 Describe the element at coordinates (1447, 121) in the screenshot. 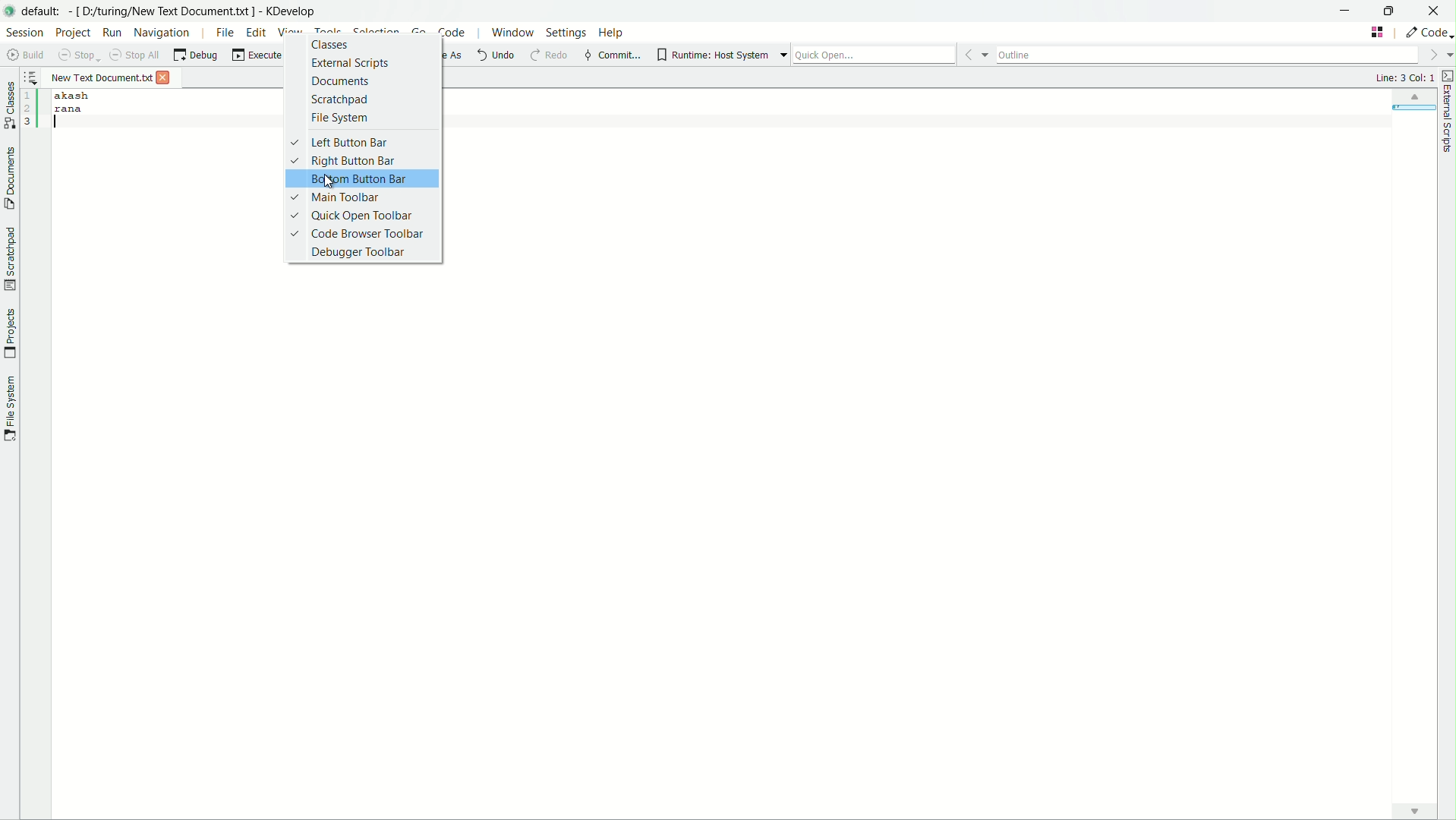

I see `external scripts` at that location.